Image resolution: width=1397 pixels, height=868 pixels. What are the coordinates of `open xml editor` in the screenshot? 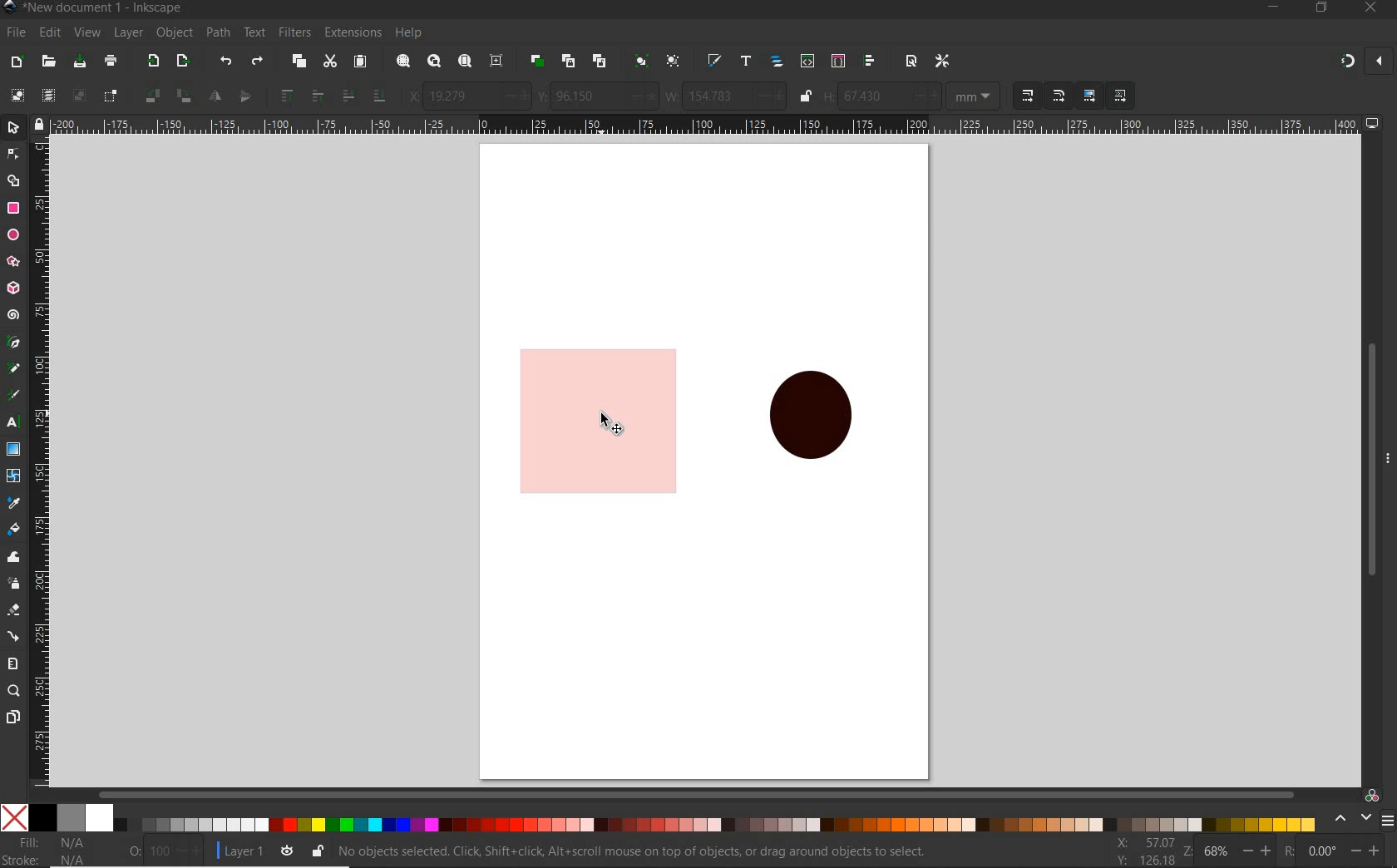 It's located at (807, 62).